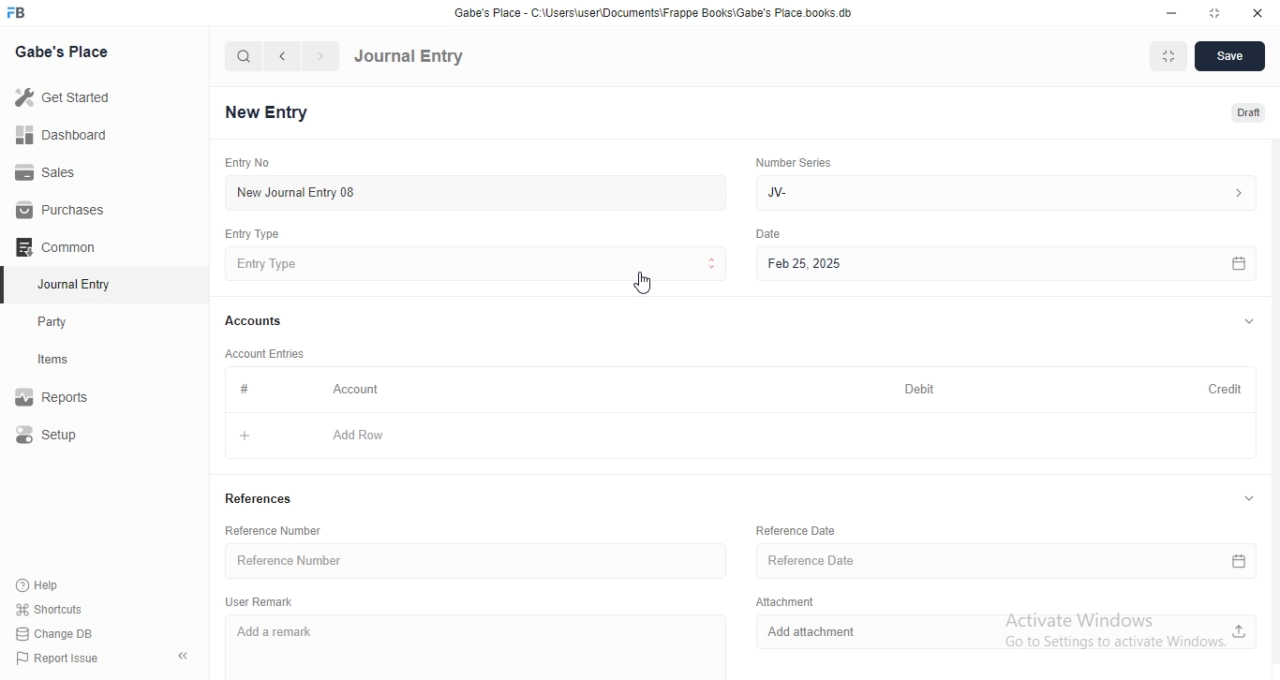 The width and height of the screenshot is (1280, 680). Describe the element at coordinates (18, 13) in the screenshot. I see `FB` at that location.